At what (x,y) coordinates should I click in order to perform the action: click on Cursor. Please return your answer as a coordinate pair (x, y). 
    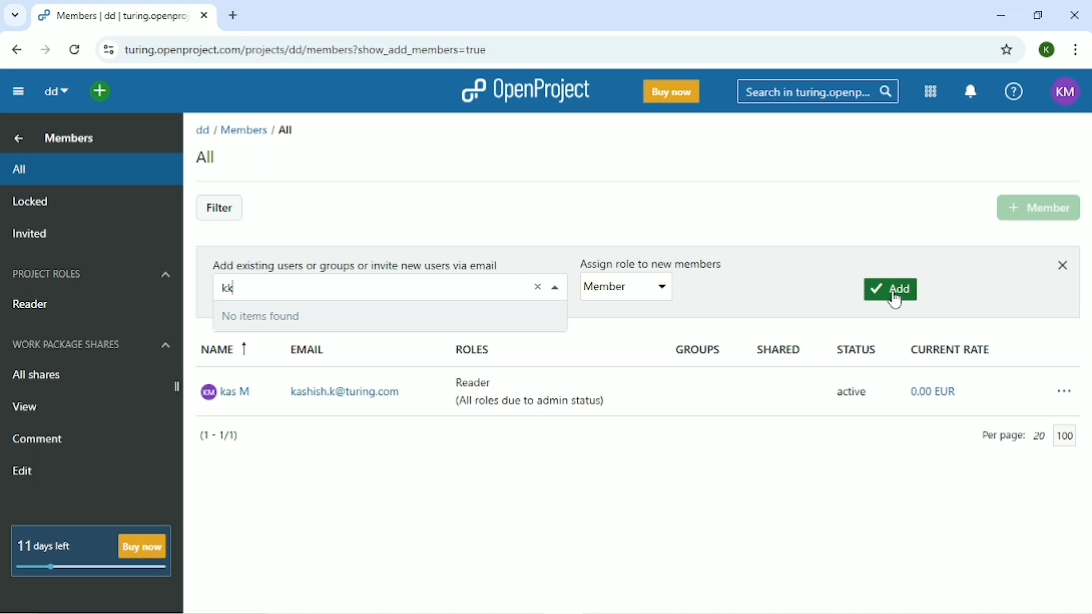
    Looking at the image, I should click on (898, 297).